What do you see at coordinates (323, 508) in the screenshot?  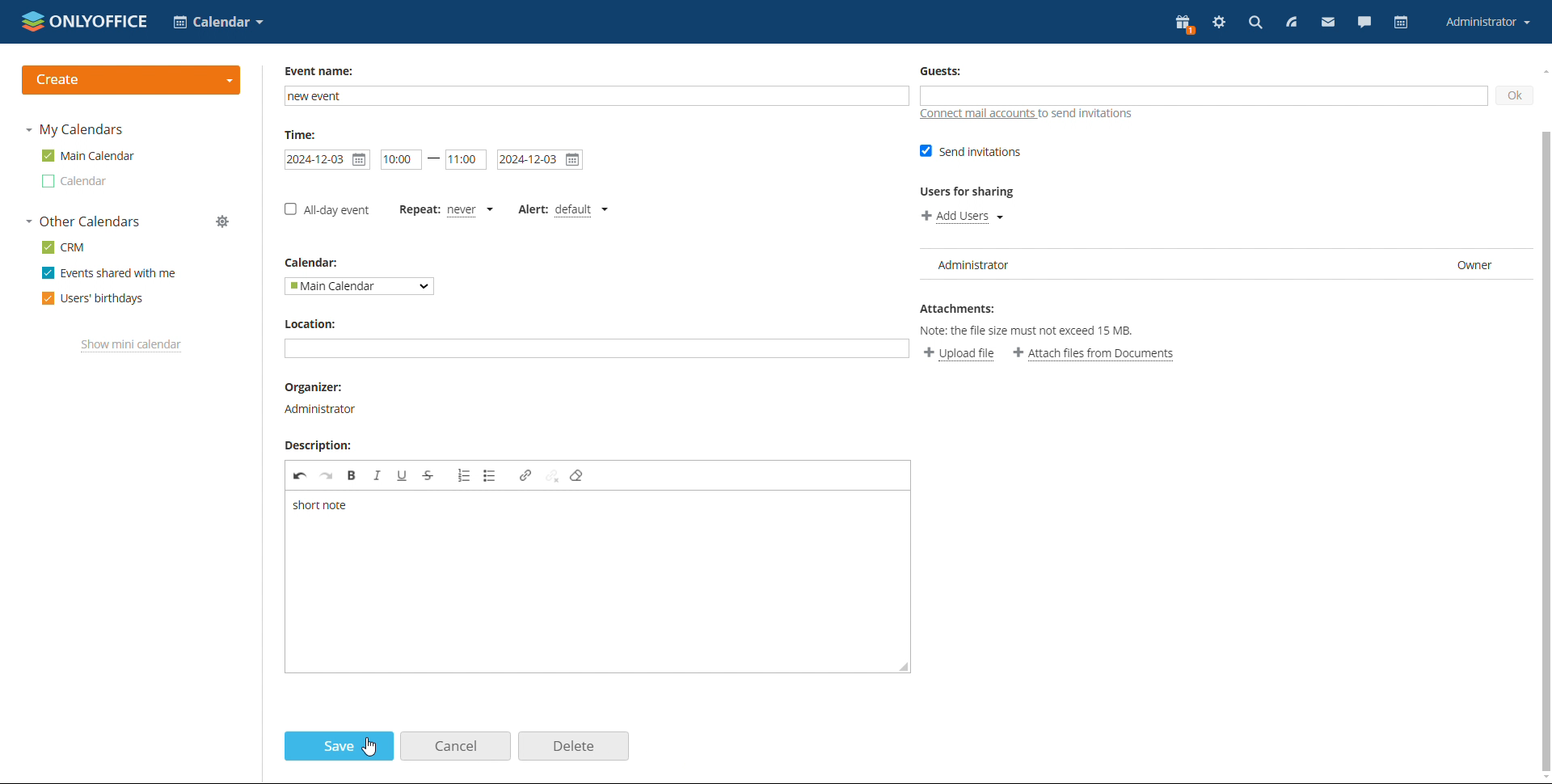 I see `note typed in` at bounding box center [323, 508].